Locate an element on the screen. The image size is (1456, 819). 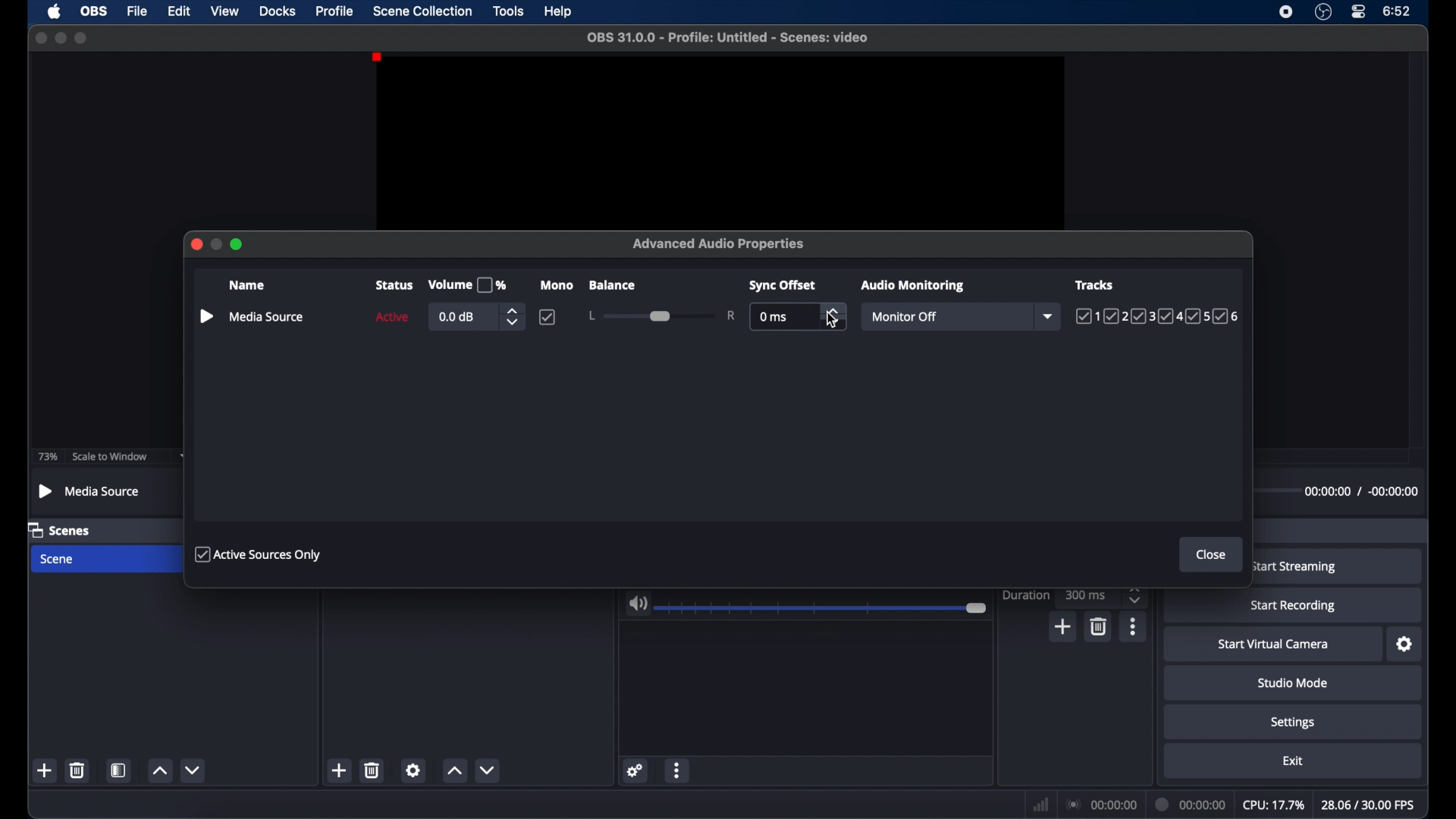
timestamps is located at coordinates (1361, 491).